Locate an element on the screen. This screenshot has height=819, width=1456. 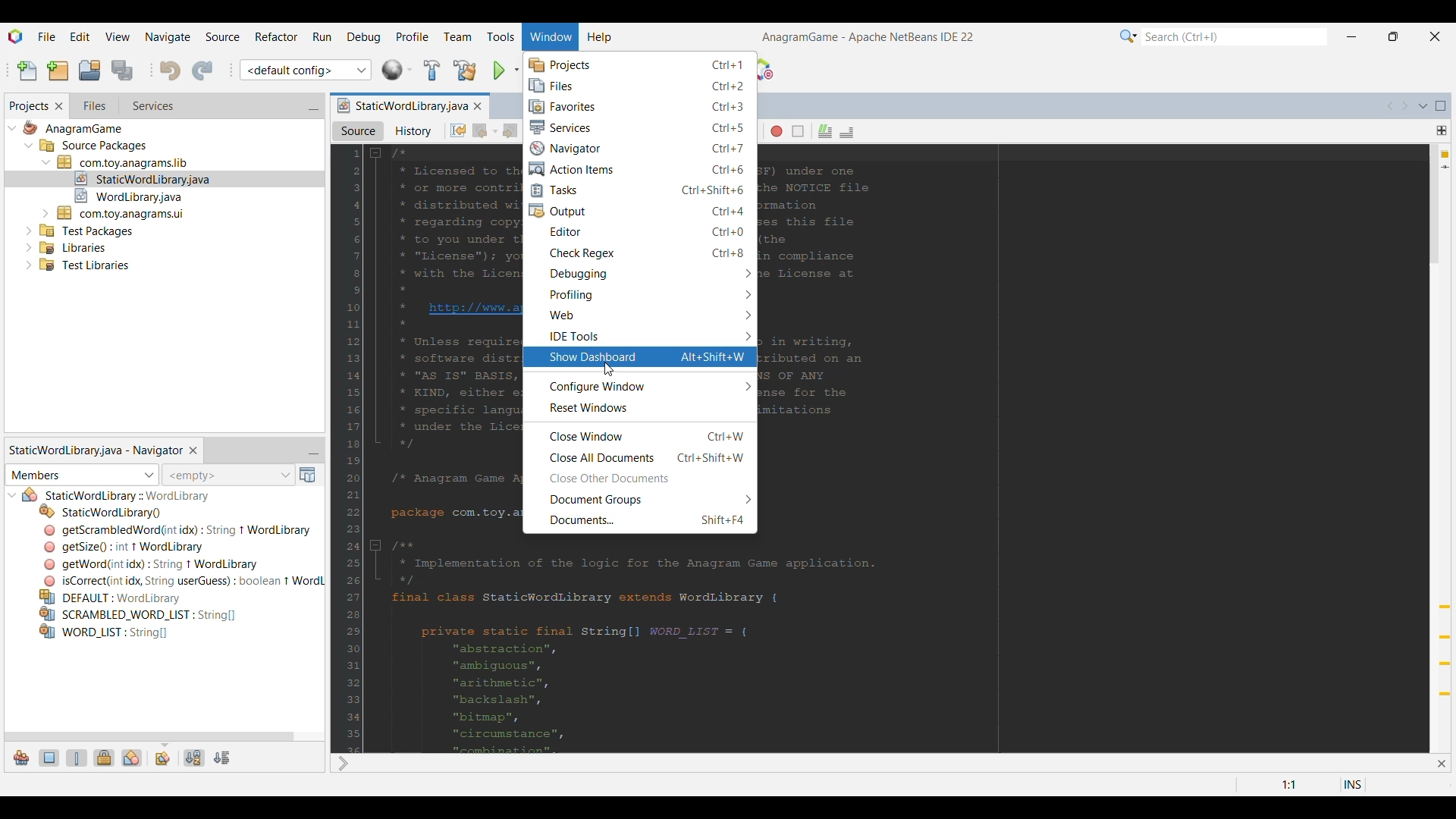
Tools menu is located at coordinates (500, 36).